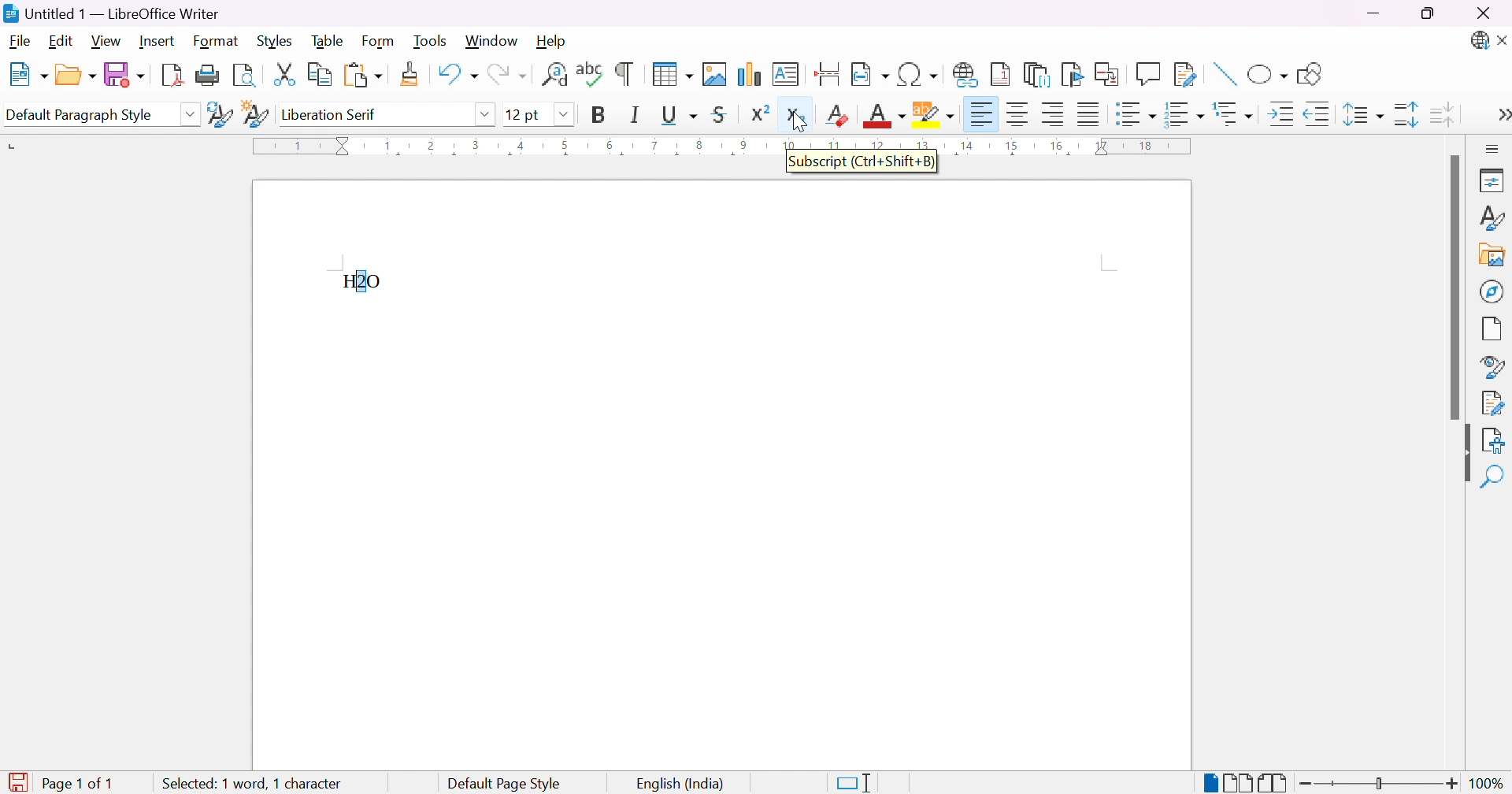  I want to click on Default paragraph style, so click(80, 116).